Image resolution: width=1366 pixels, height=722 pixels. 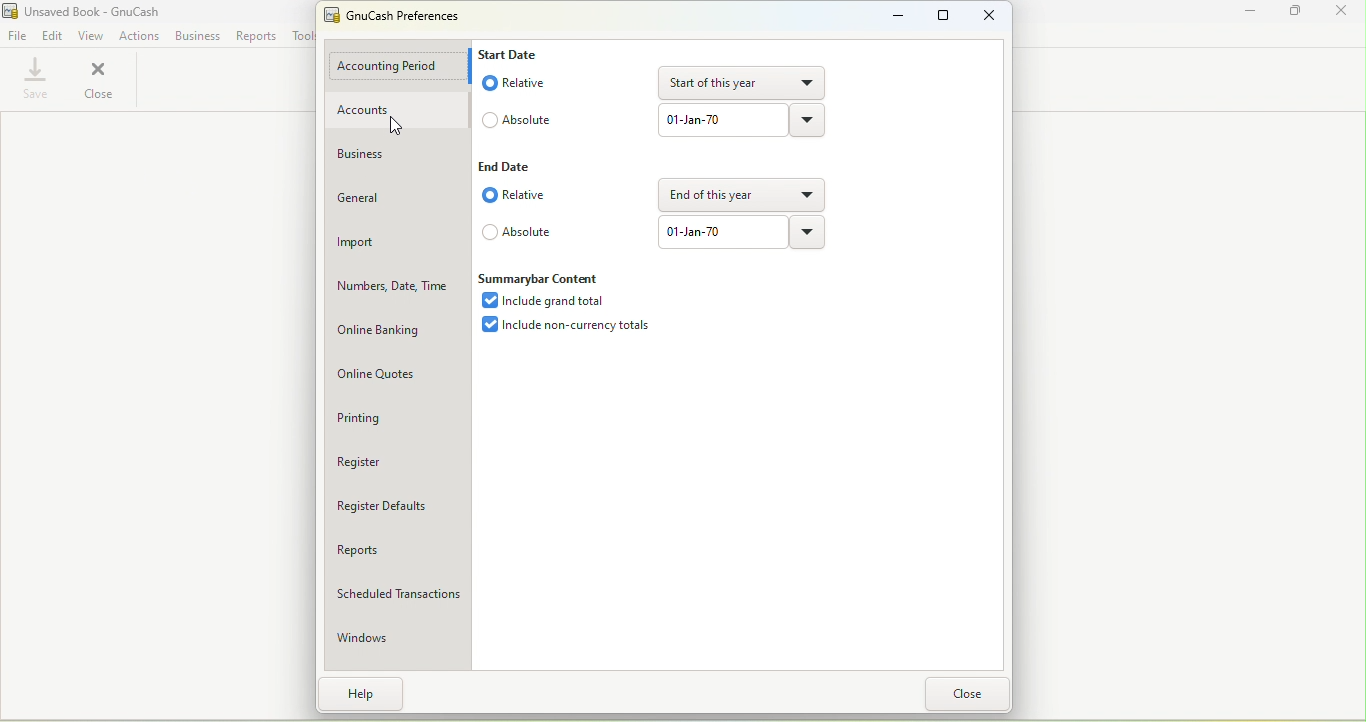 What do you see at coordinates (519, 196) in the screenshot?
I see `Relative` at bounding box center [519, 196].